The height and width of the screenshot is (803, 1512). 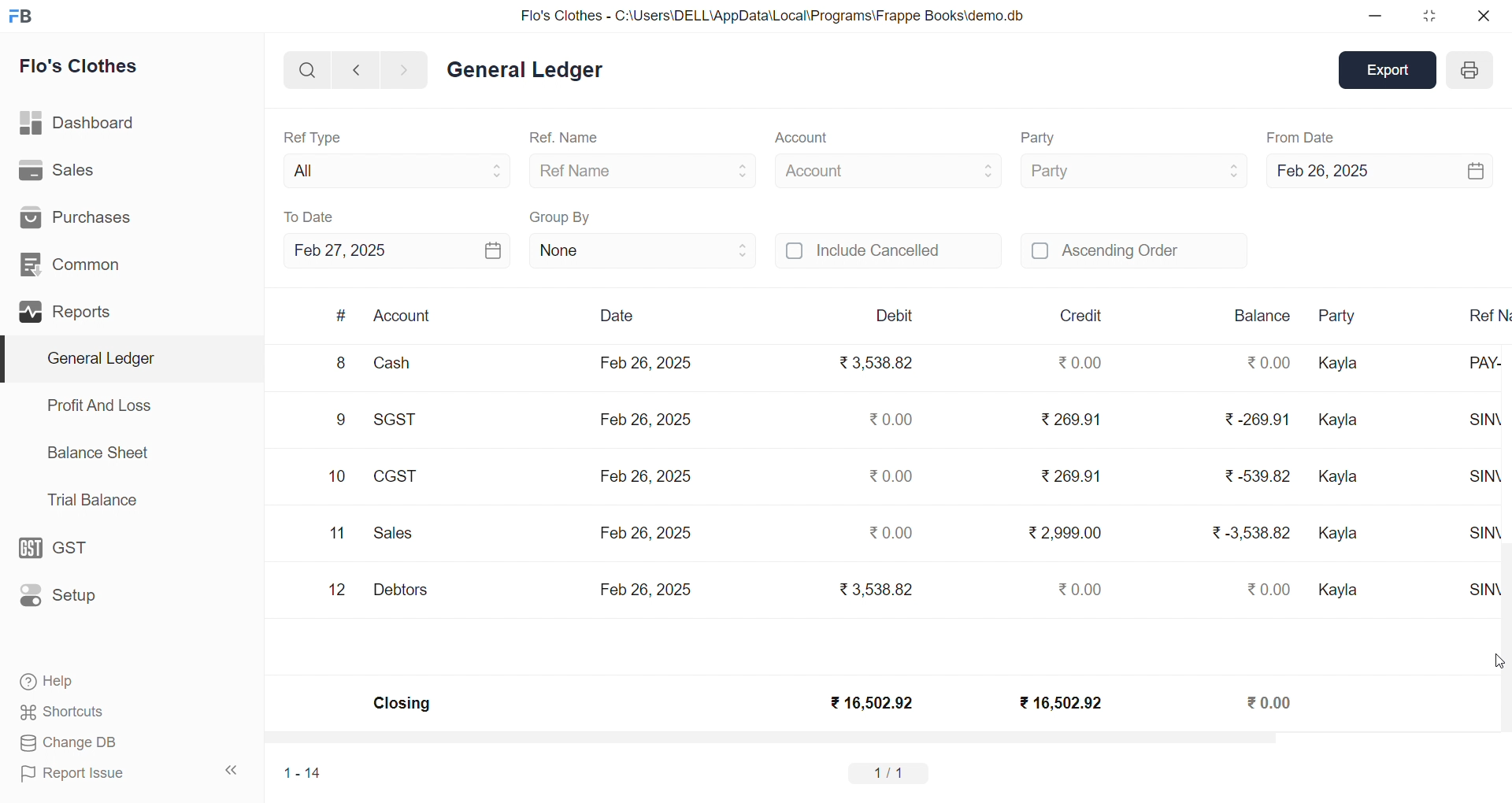 What do you see at coordinates (1073, 473) in the screenshot?
I see `₹269.91` at bounding box center [1073, 473].